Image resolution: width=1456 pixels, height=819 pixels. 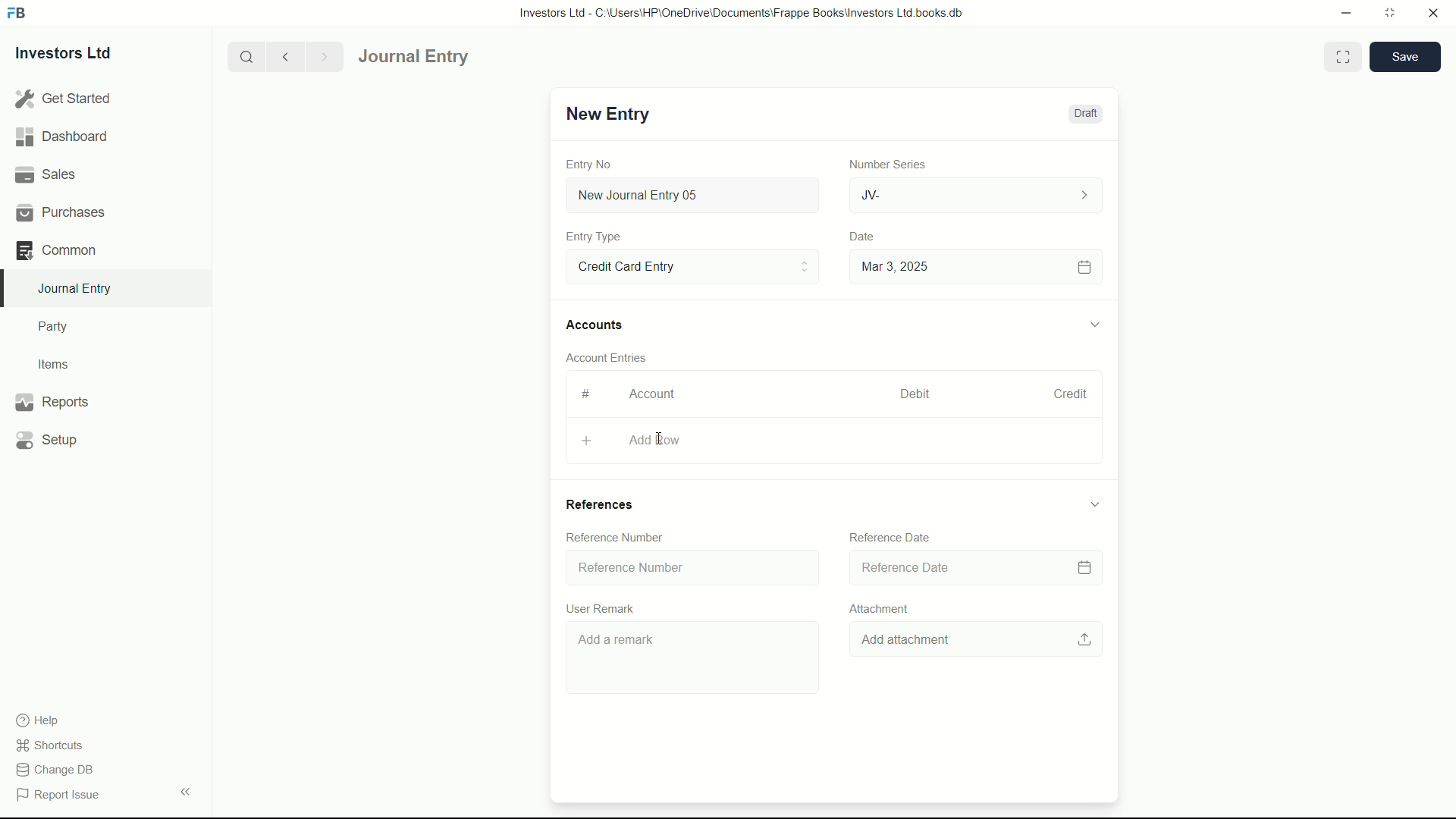 I want to click on Add a remark, so click(x=689, y=661).